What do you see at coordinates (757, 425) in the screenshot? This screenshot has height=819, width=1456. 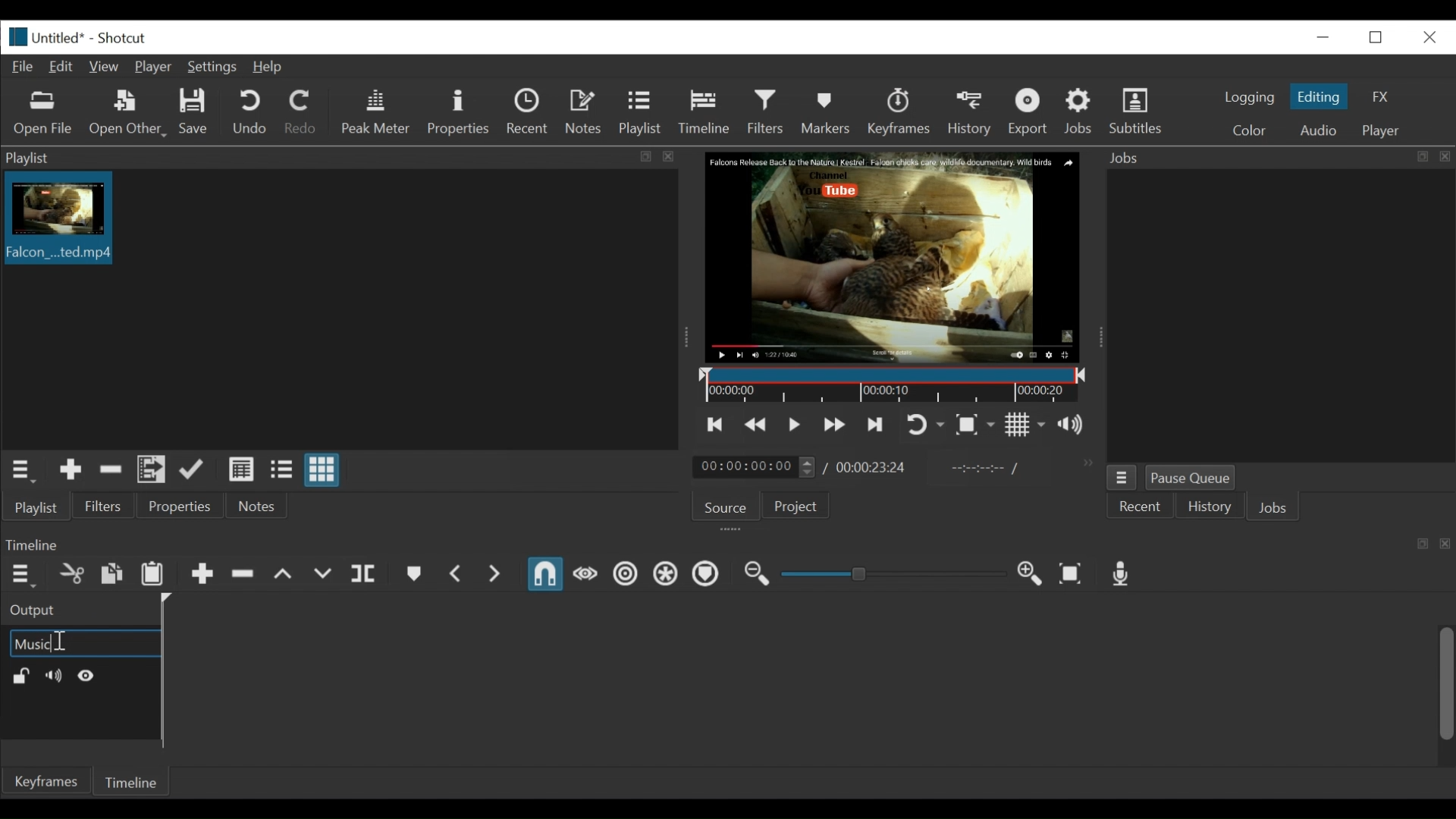 I see `Play quickly backward` at bounding box center [757, 425].